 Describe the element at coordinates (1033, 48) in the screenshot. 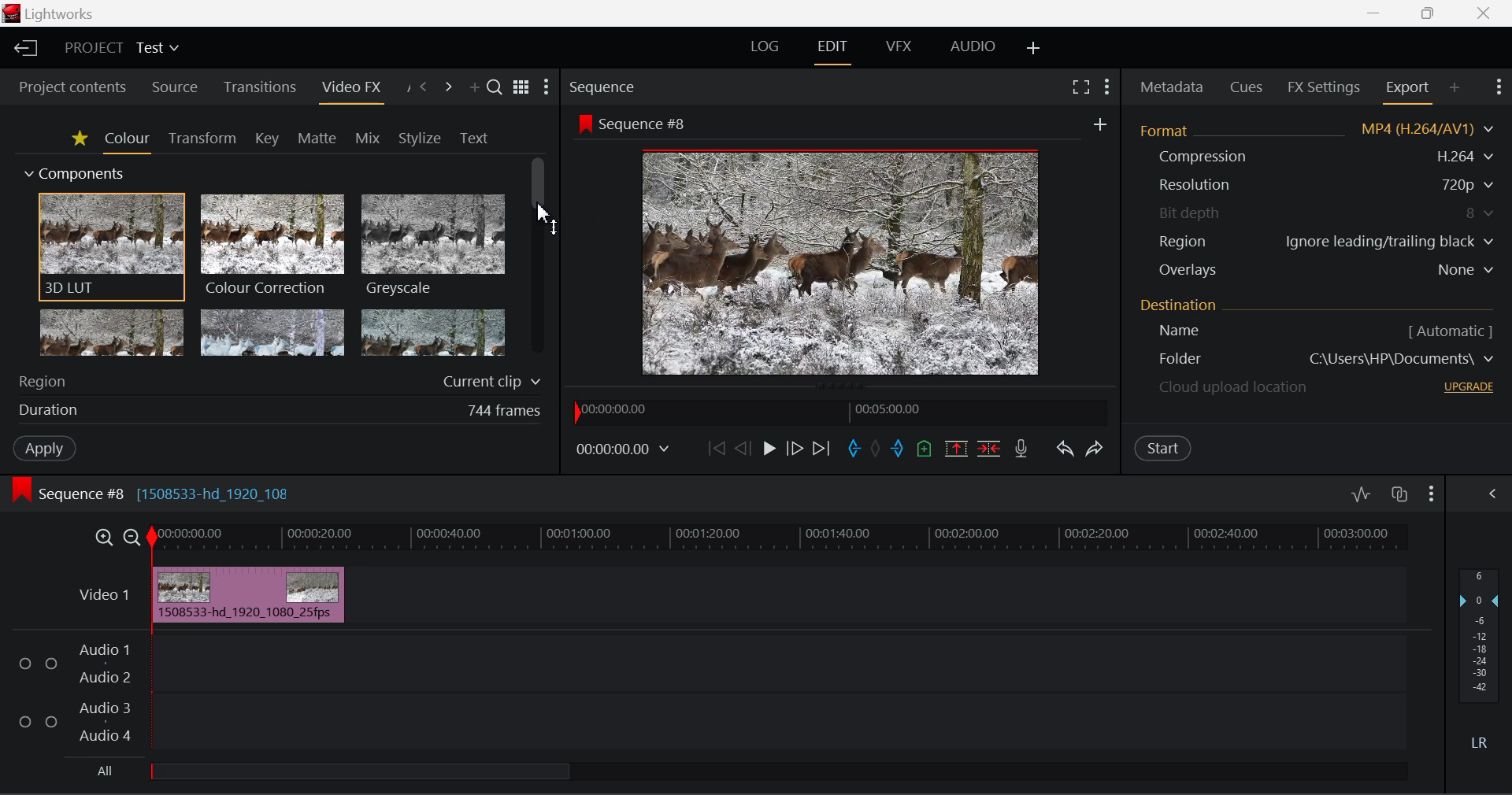

I see `Add Layout` at that location.